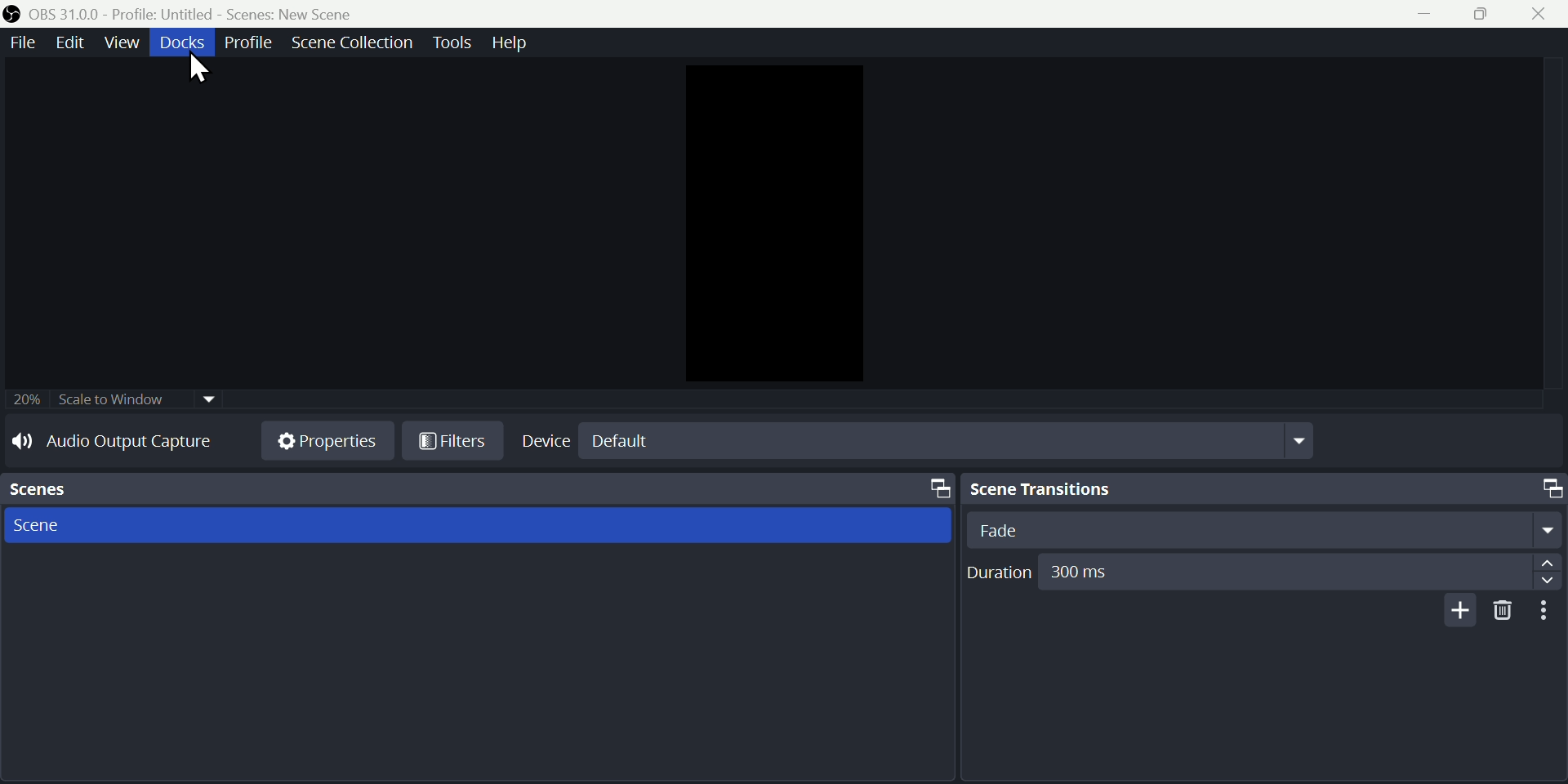  Describe the element at coordinates (1267, 490) in the screenshot. I see `Scene Transitions` at that location.